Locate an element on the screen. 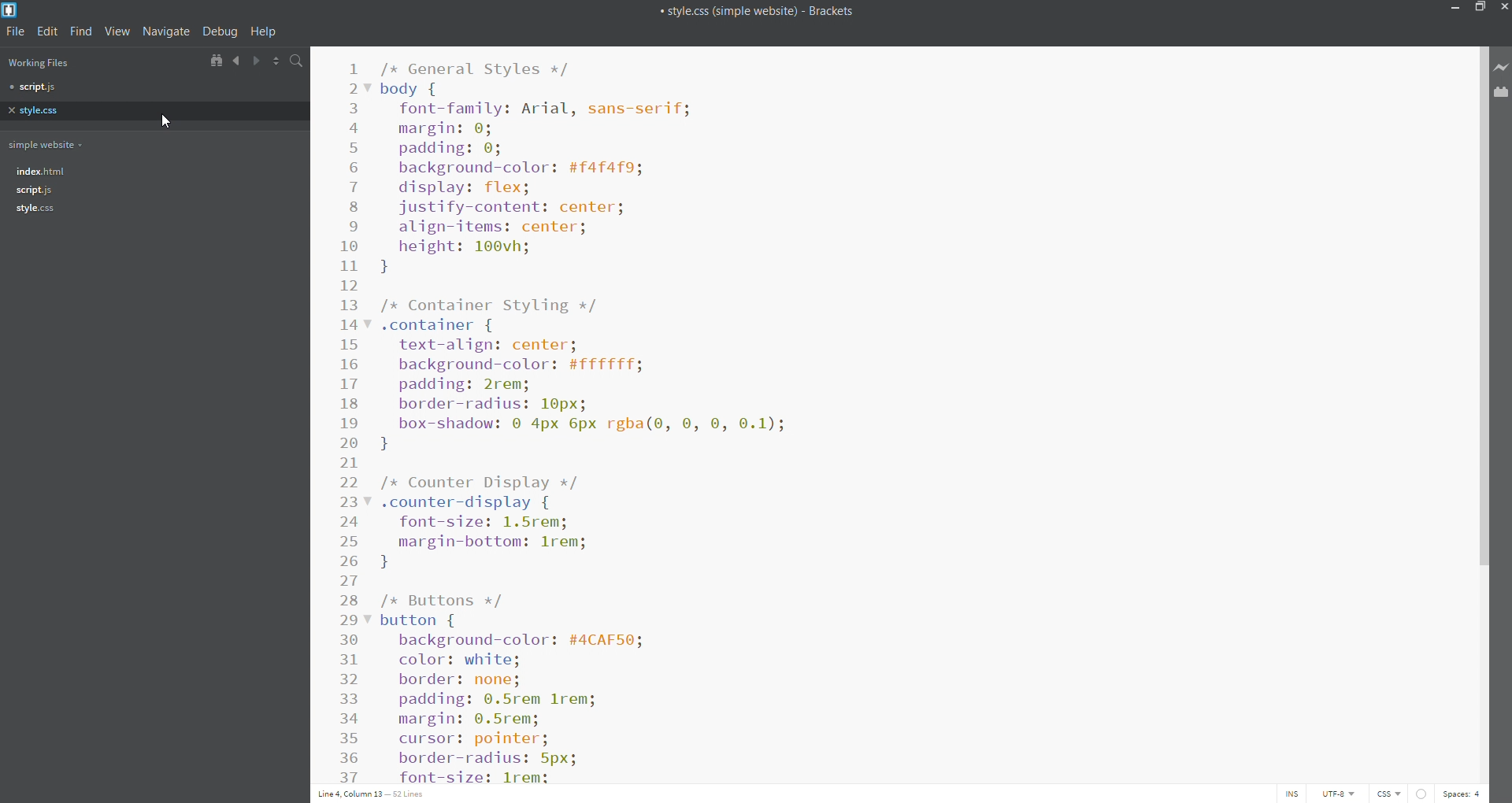 This screenshot has height=803, width=1512. ins is located at coordinates (1293, 794).